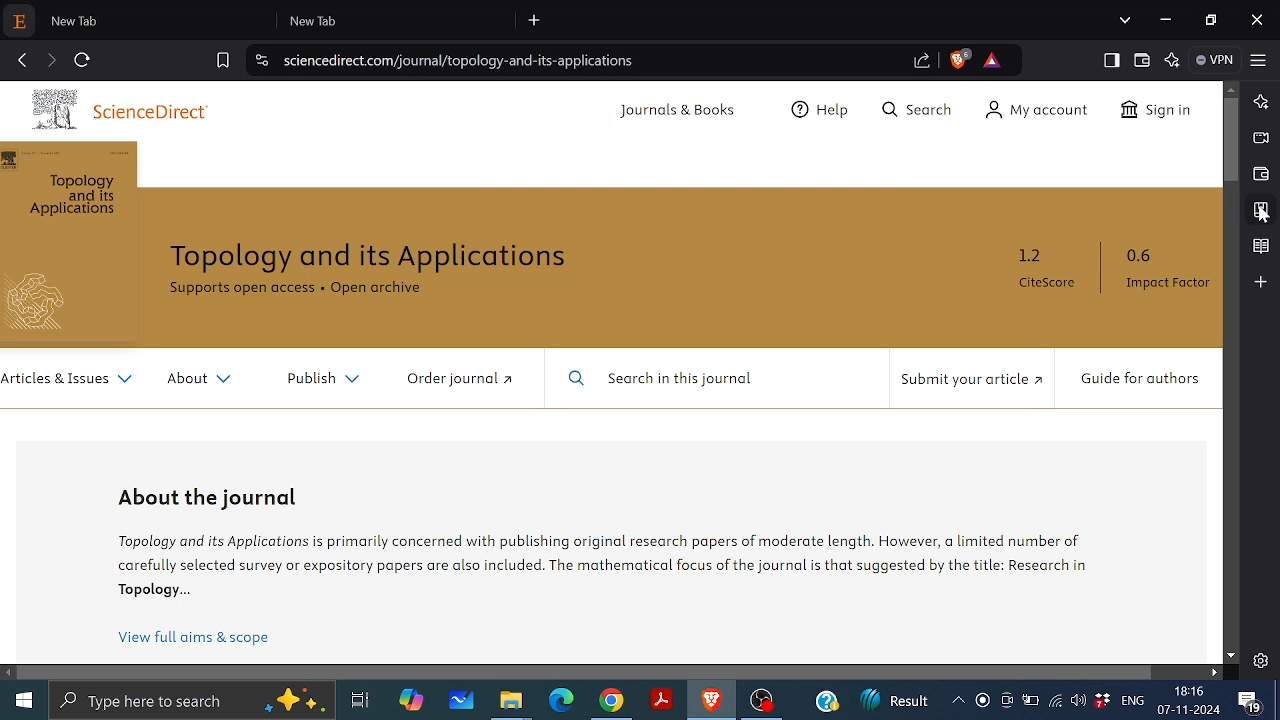 The image size is (1280, 720). Describe the element at coordinates (681, 114) in the screenshot. I see `Journals and Books` at that location.